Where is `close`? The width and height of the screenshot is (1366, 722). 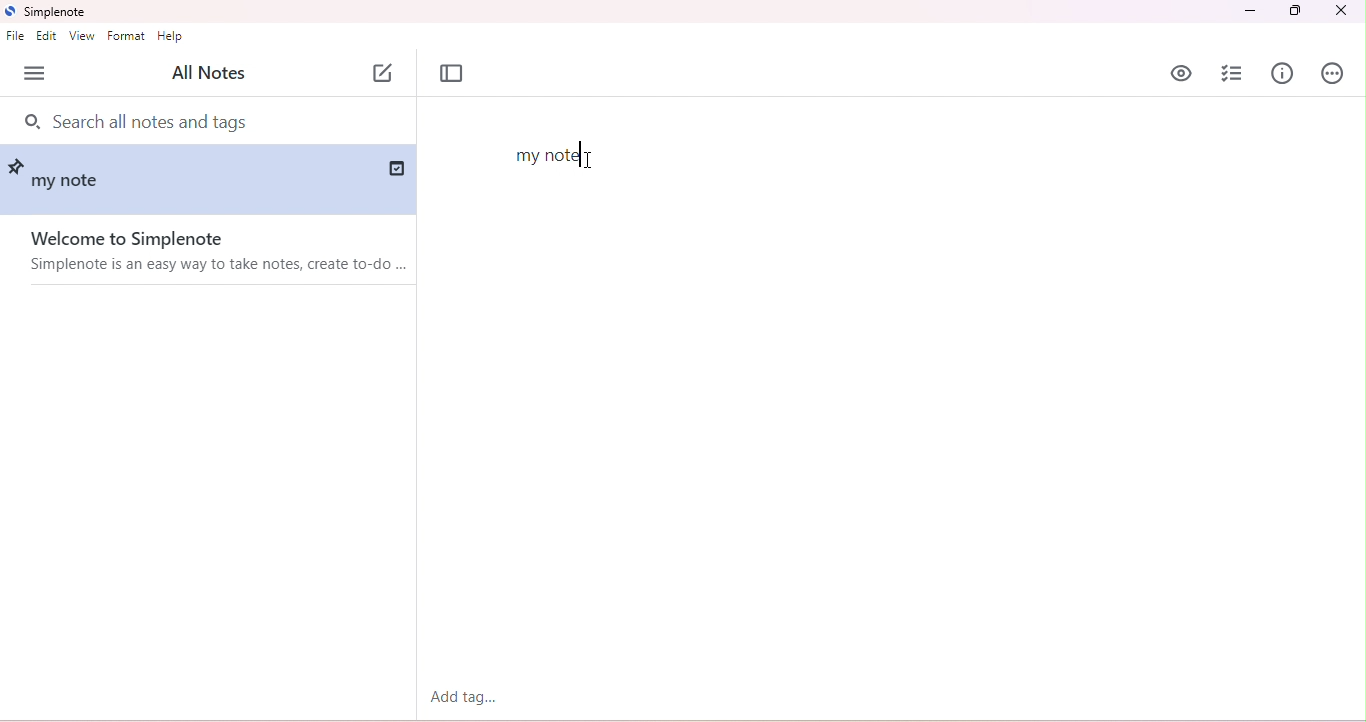
close is located at coordinates (1340, 12).